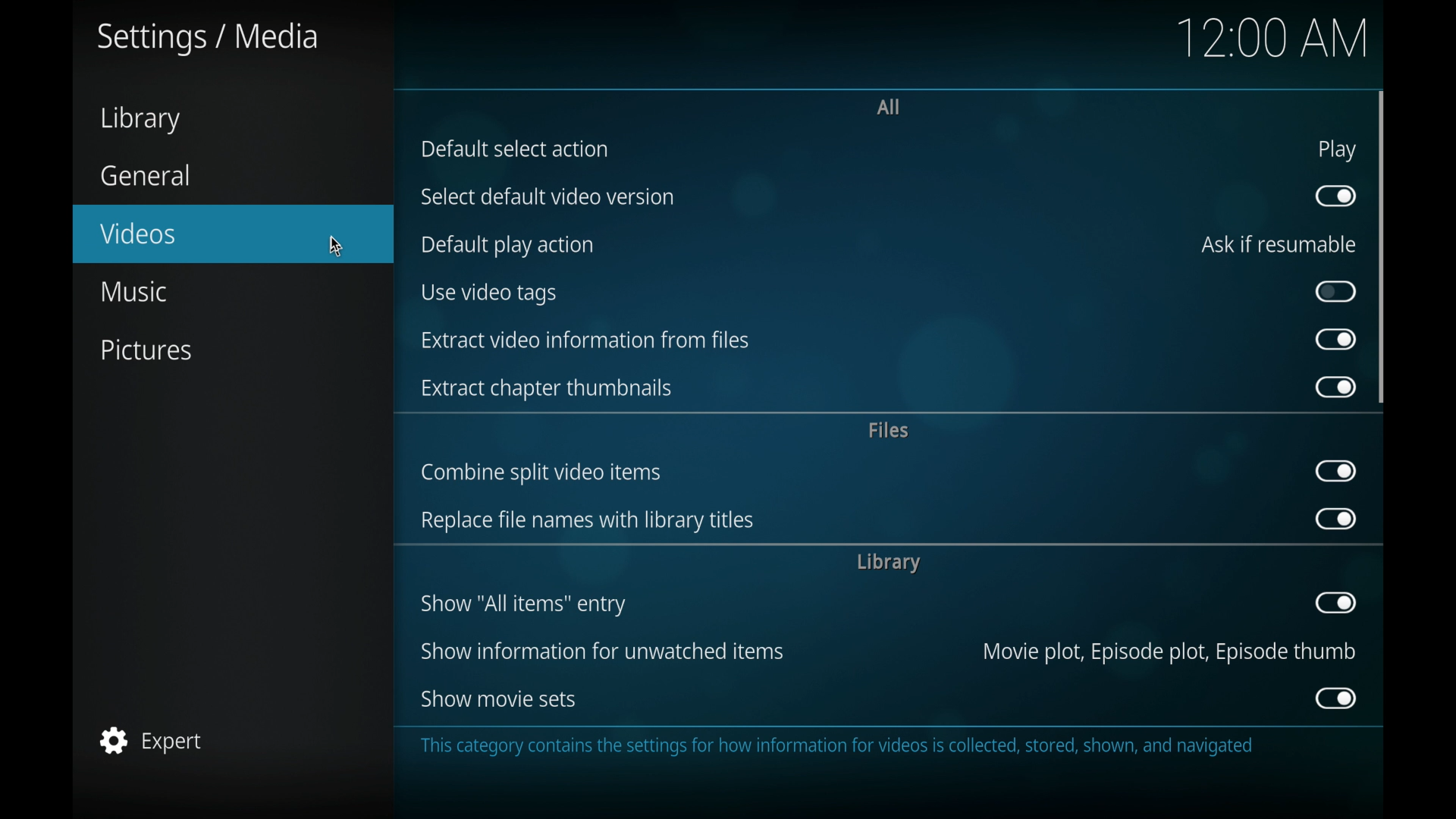 Image resolution: width=1456 pixels, height=819 pixels. What do you see at coordinates (151, 739) in the screenshot?
I see `expert` at bounding box center [151, 739].